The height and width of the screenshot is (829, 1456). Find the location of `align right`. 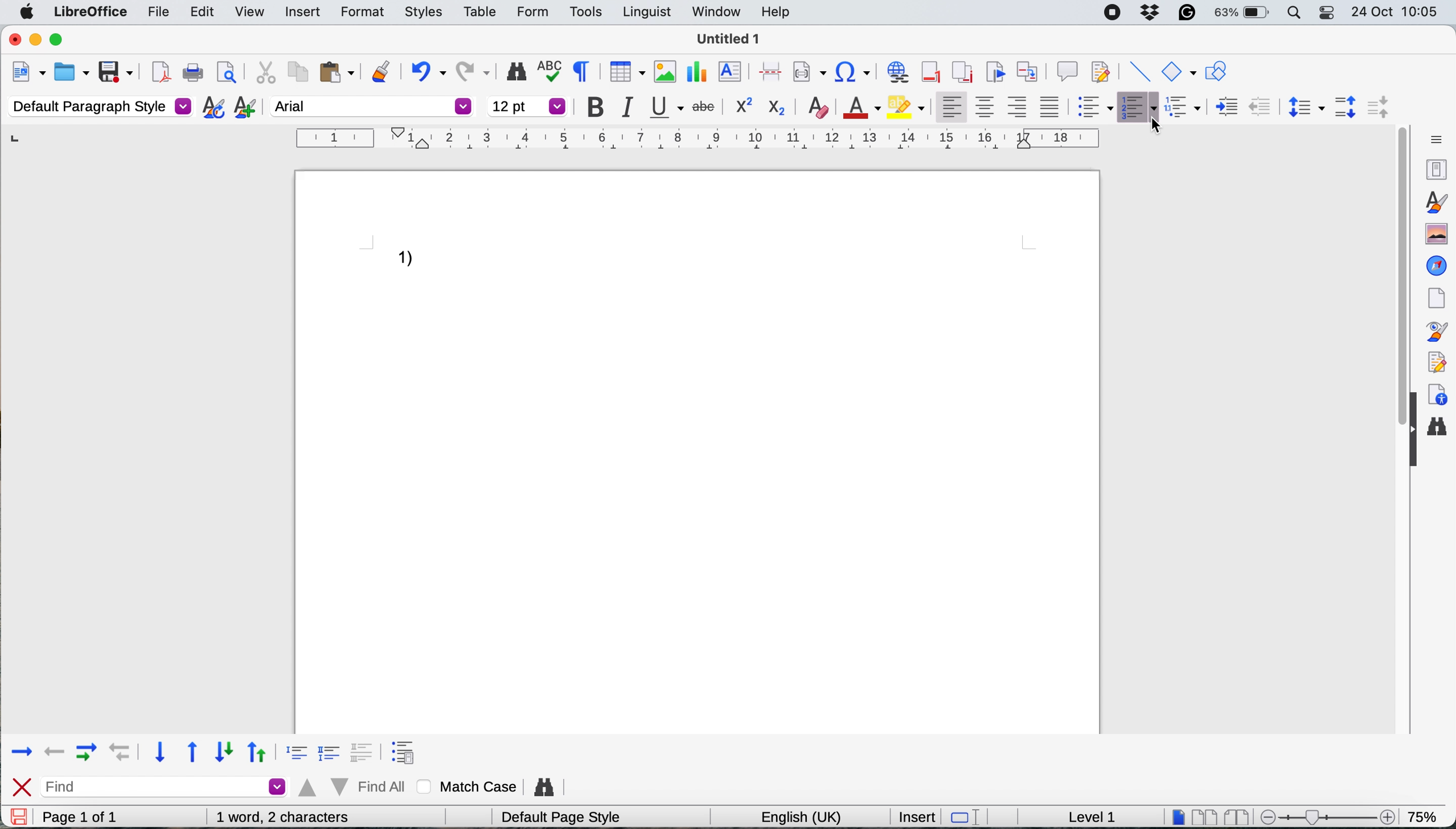

align right is located at coordinates (1019, 107).